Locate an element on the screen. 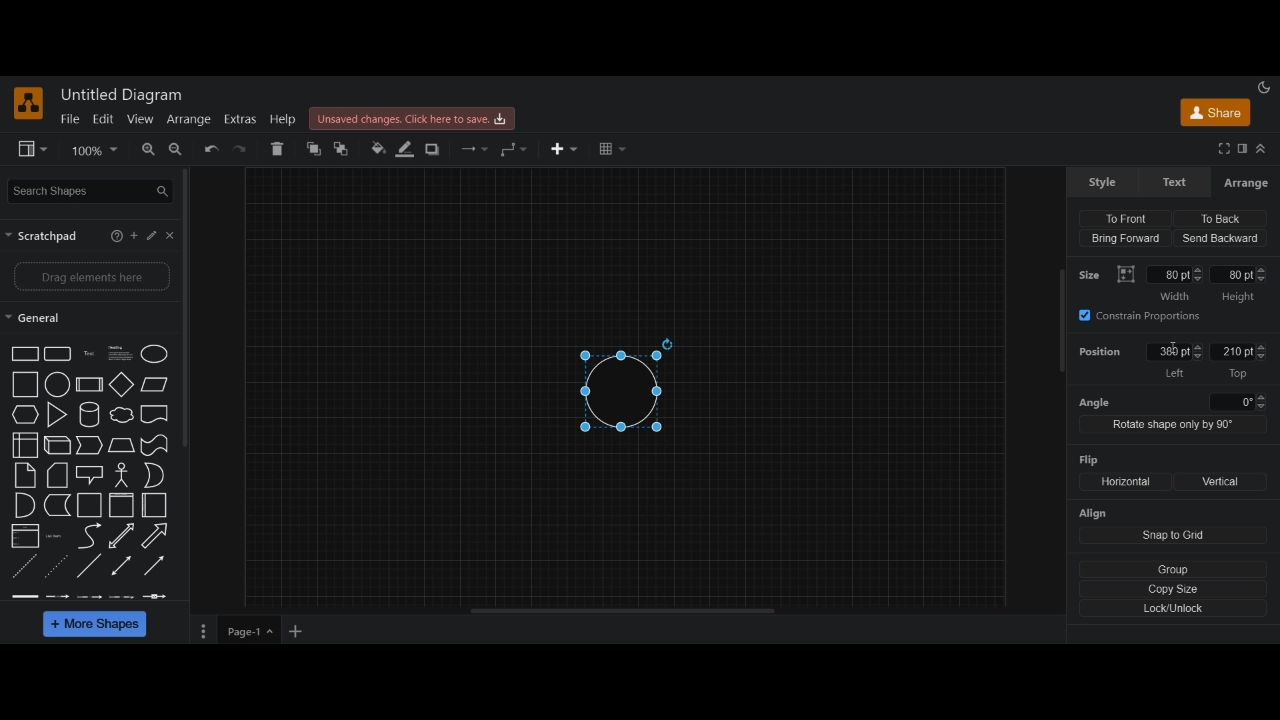 This screenshot has height=720, width=1280. align is located at coordinates (1095, 514).